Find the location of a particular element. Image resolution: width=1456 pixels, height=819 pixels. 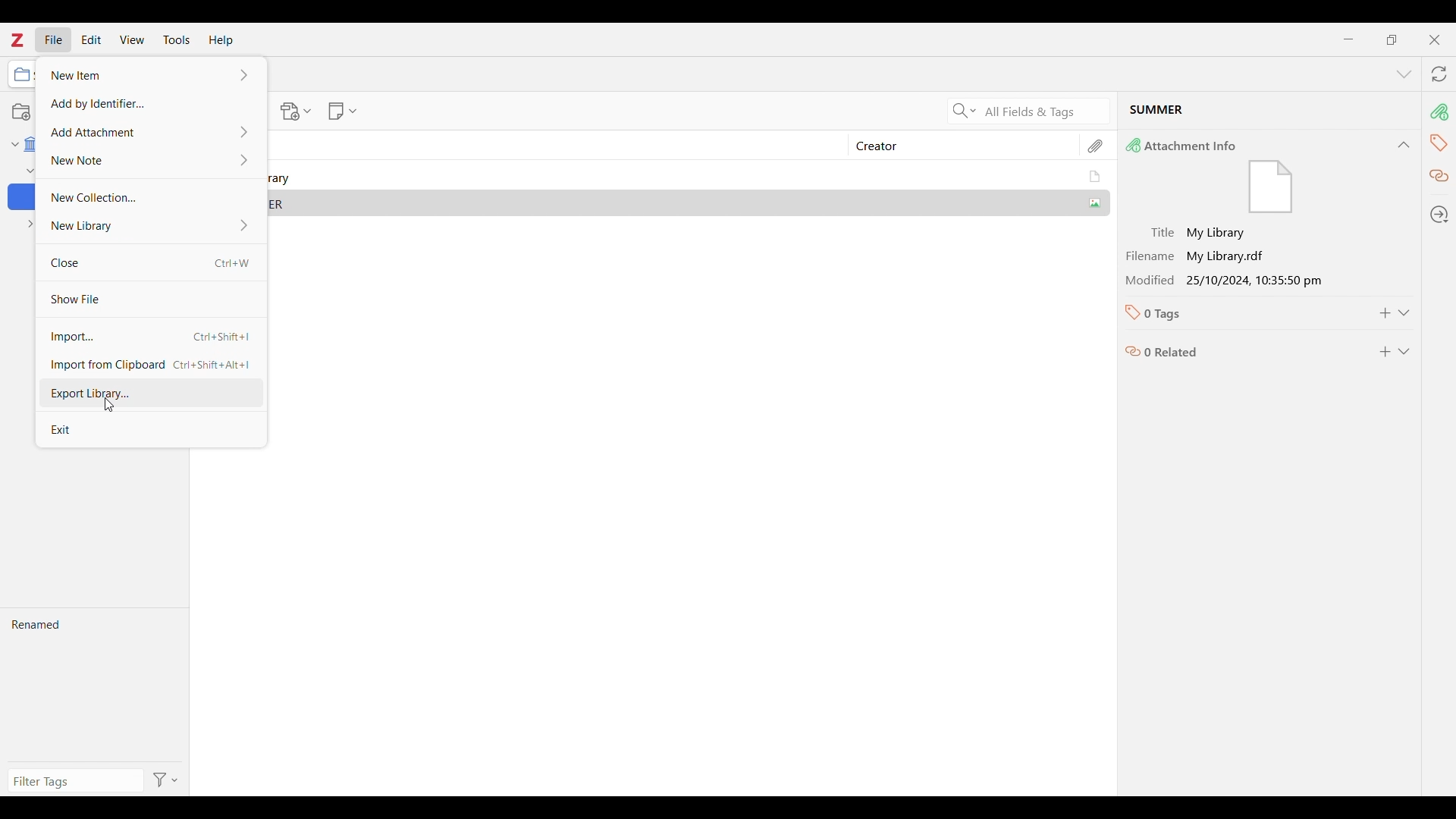

Add by identifier is located at coordinates (150, 102).